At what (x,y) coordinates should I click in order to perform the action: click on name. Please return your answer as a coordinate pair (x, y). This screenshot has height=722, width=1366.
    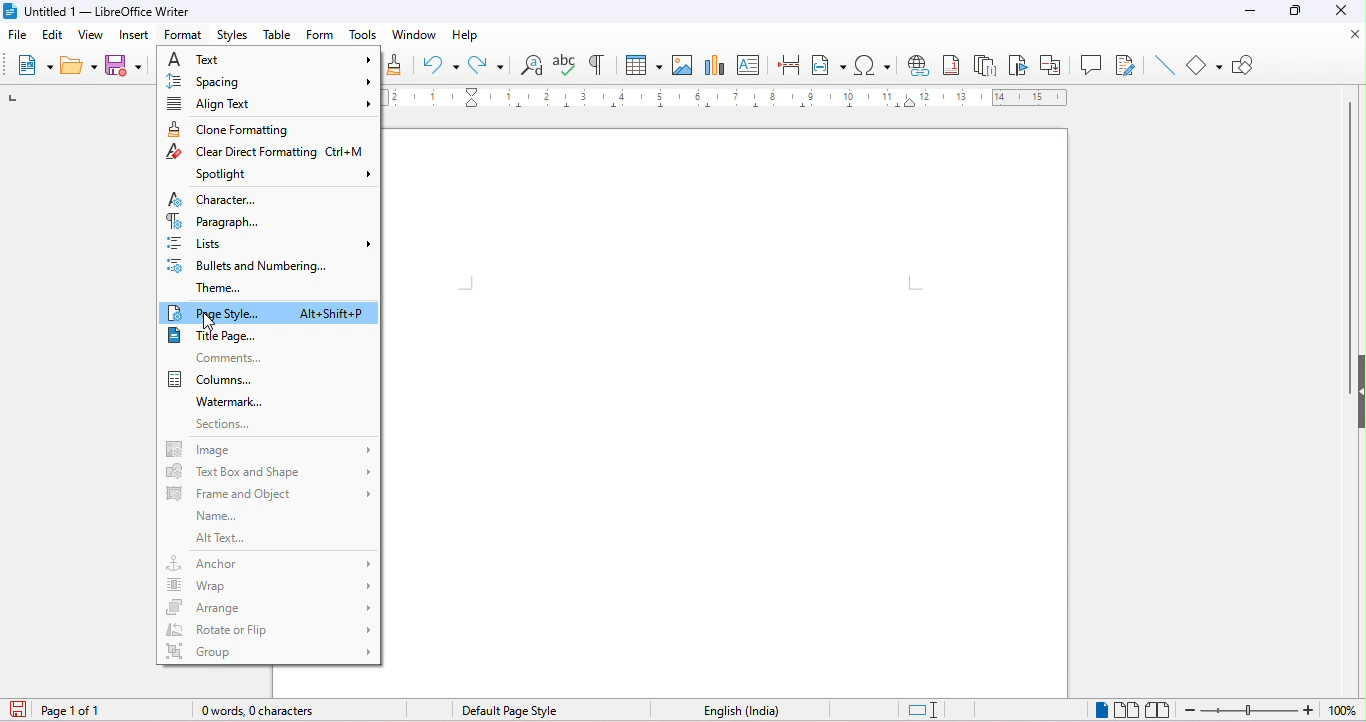
    Looking at the image, I should click on (217, 518).